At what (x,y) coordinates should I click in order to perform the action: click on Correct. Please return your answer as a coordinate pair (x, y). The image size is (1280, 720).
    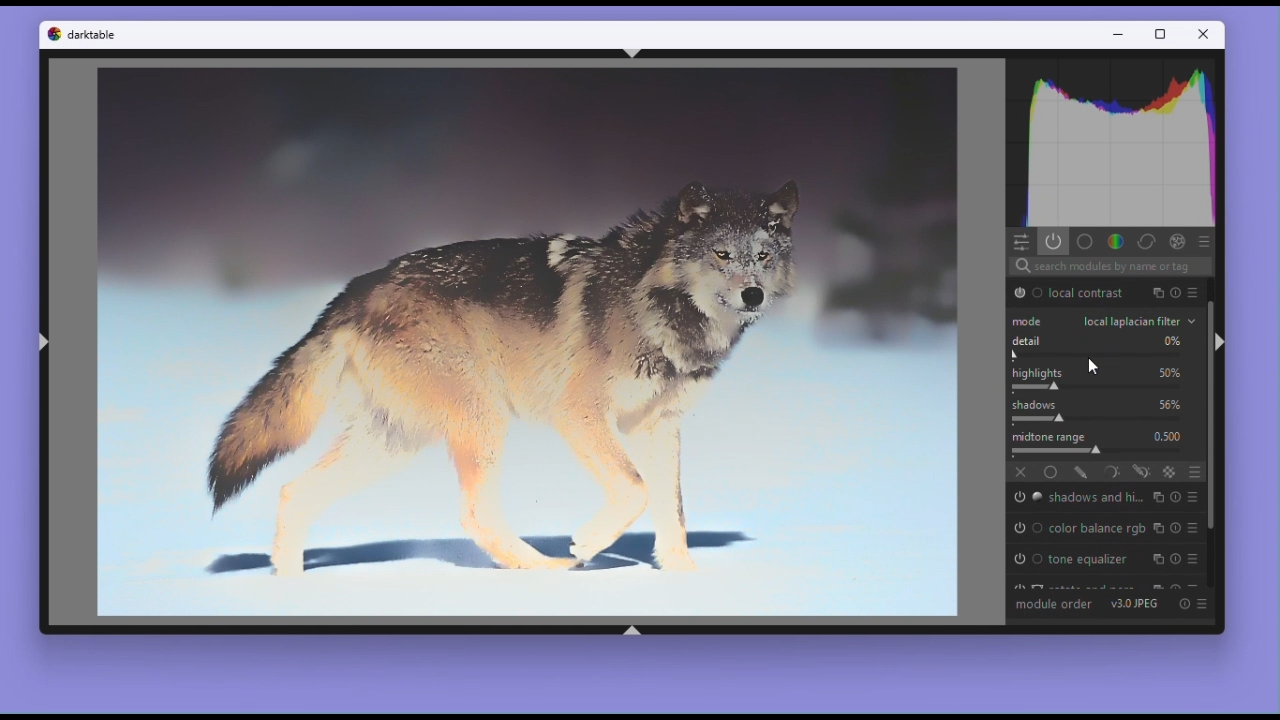
    Looking at the image, I should click on (1144, 241).